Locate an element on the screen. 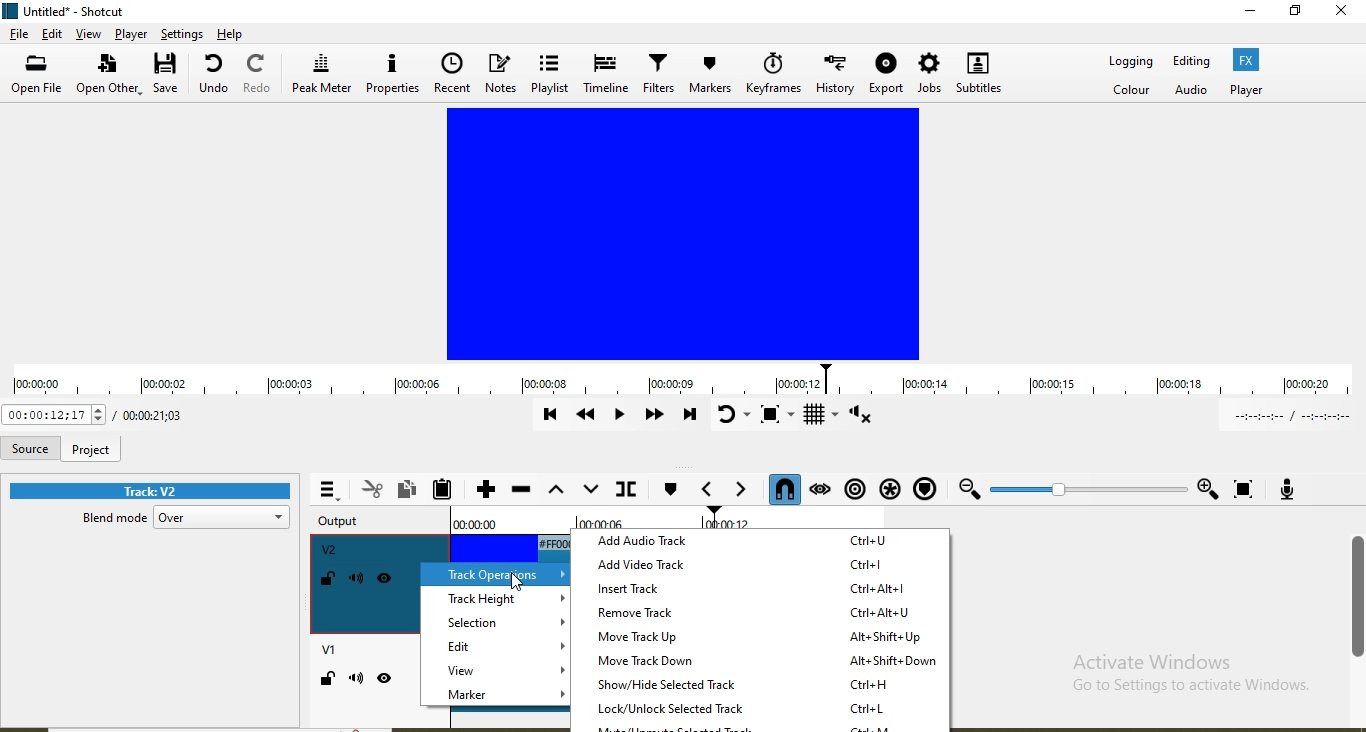 The width and height of the screenshot is (1366, 732). Filters is located at coordinates (659, 72).